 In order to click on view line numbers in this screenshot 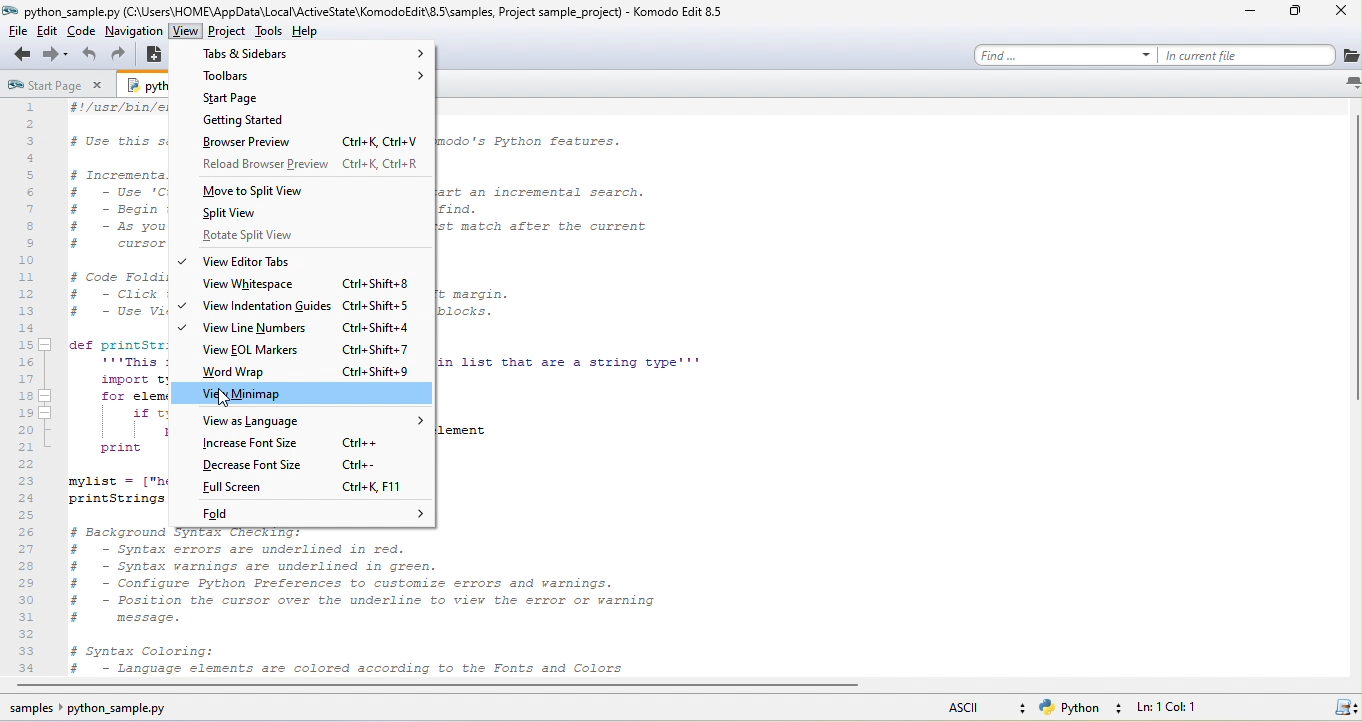, I will do `click(301, 326)`.